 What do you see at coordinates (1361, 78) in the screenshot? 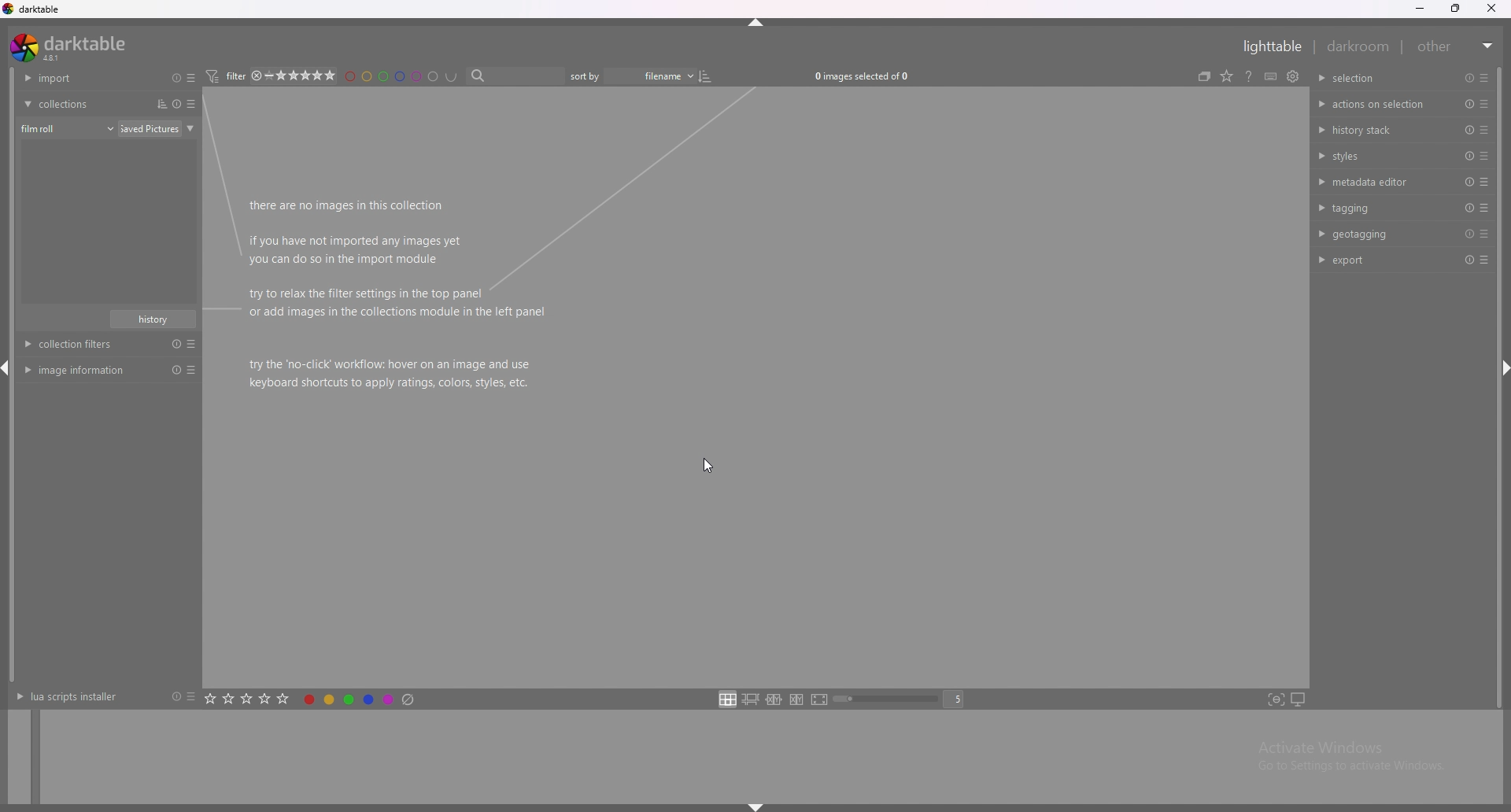
I see `selection` at bounding box center [1361, 78].